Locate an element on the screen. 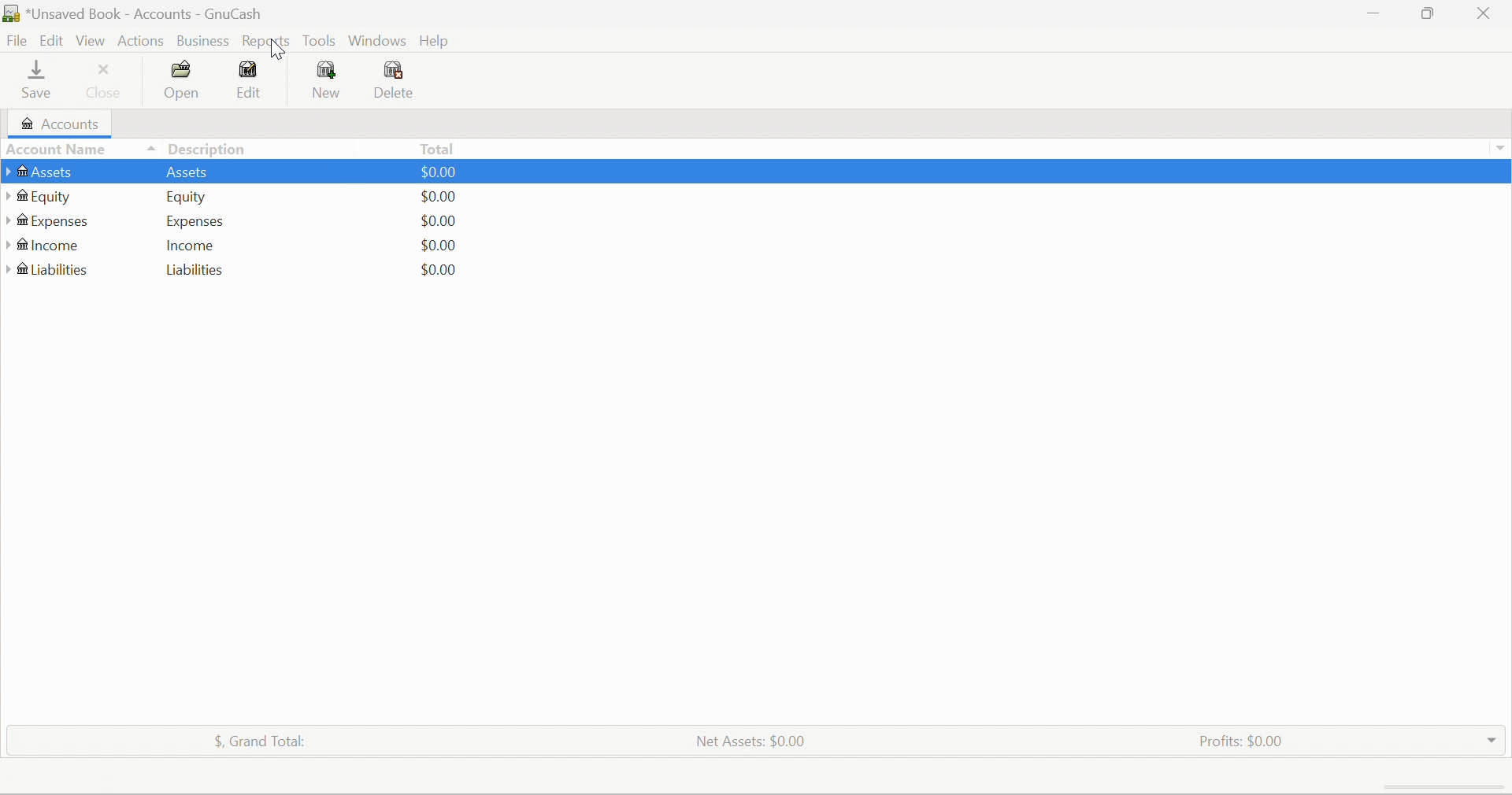  Business is located at coordinates (201, 39).